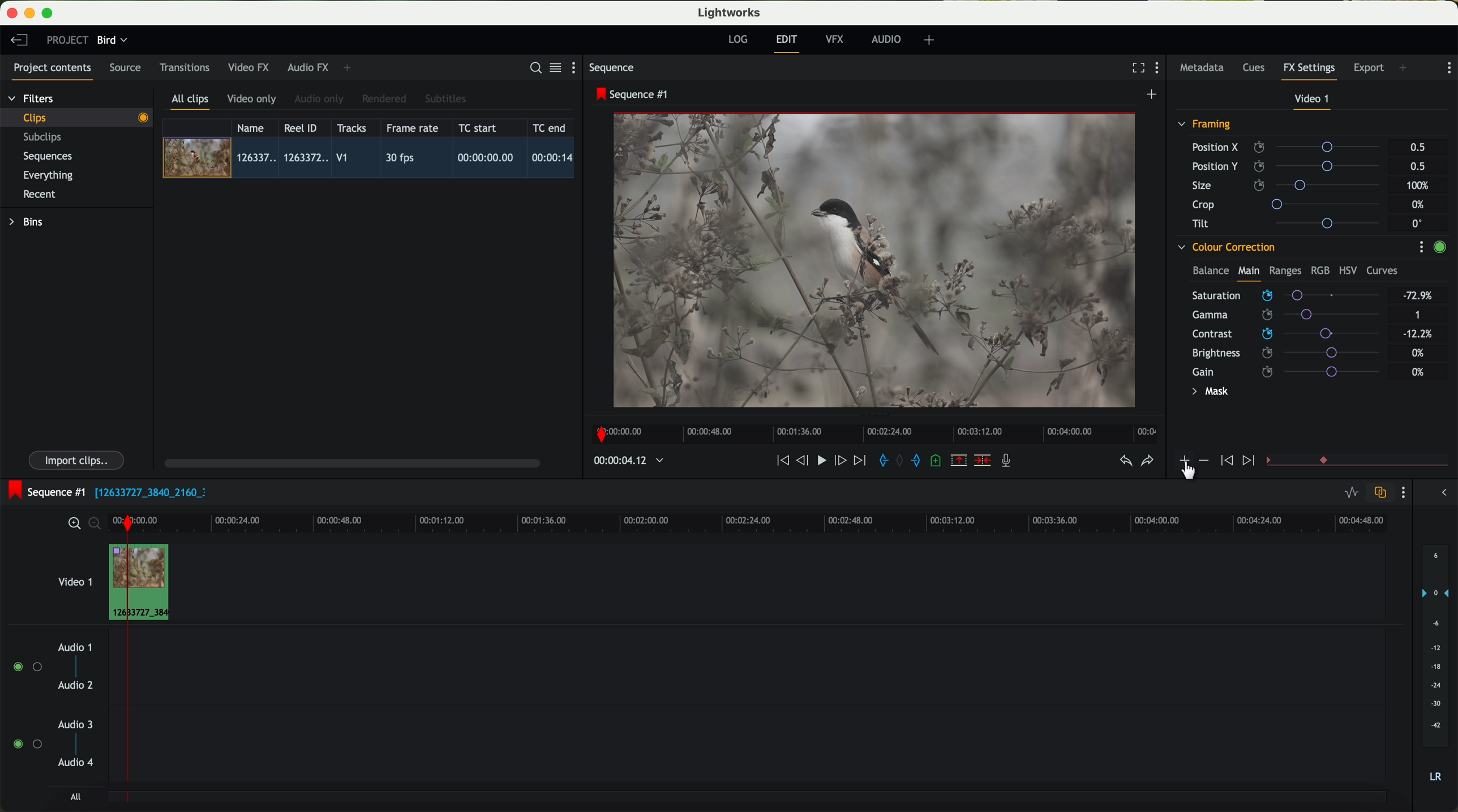 This screenshot has width=1458, height=812. I want to click on add 'in' mark, so click(880, 462).